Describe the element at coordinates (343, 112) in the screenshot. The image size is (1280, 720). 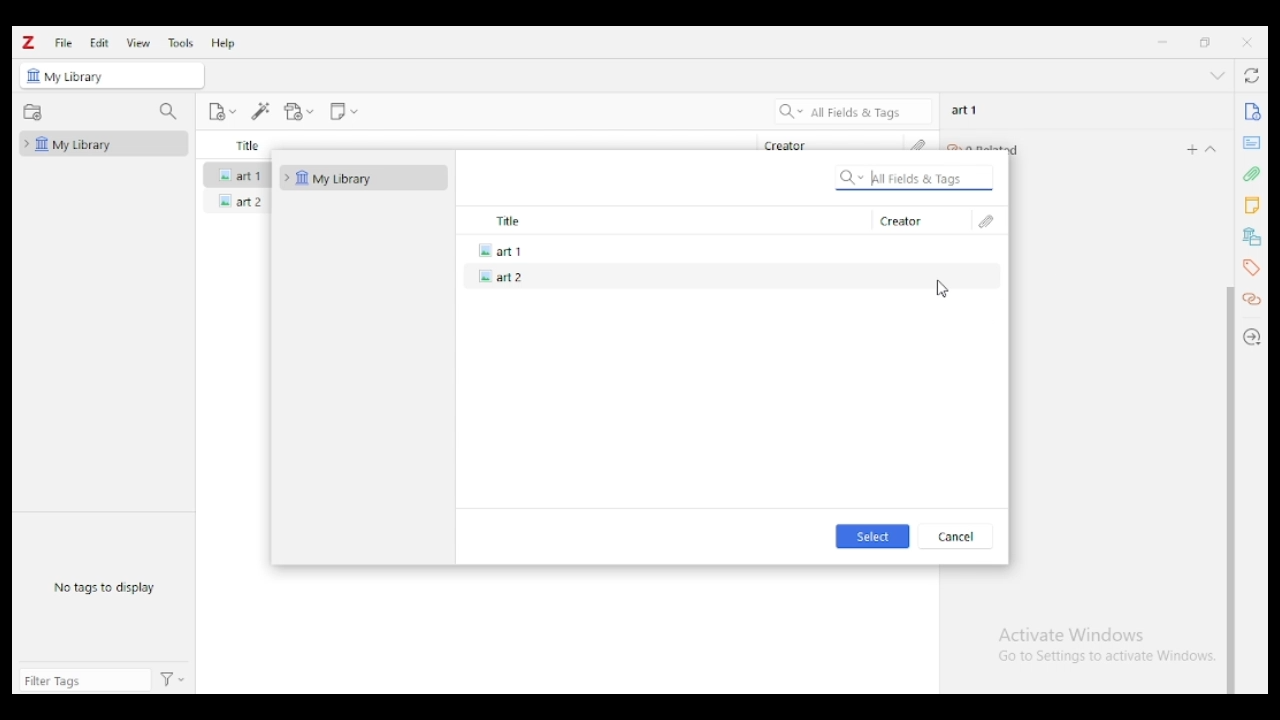
I see `new note` at that location.